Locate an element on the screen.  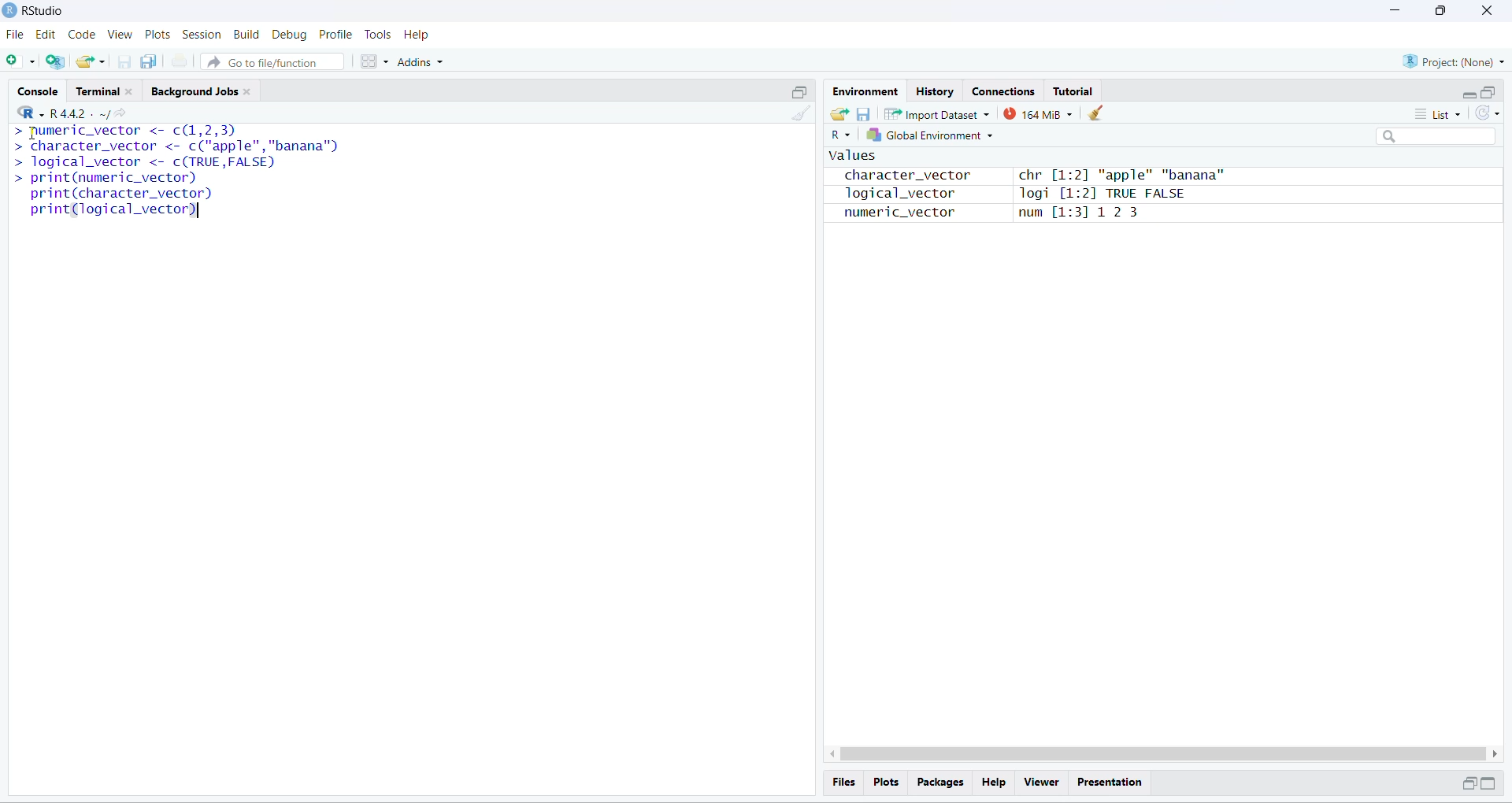
maximize is located at coordinates (799, 91).